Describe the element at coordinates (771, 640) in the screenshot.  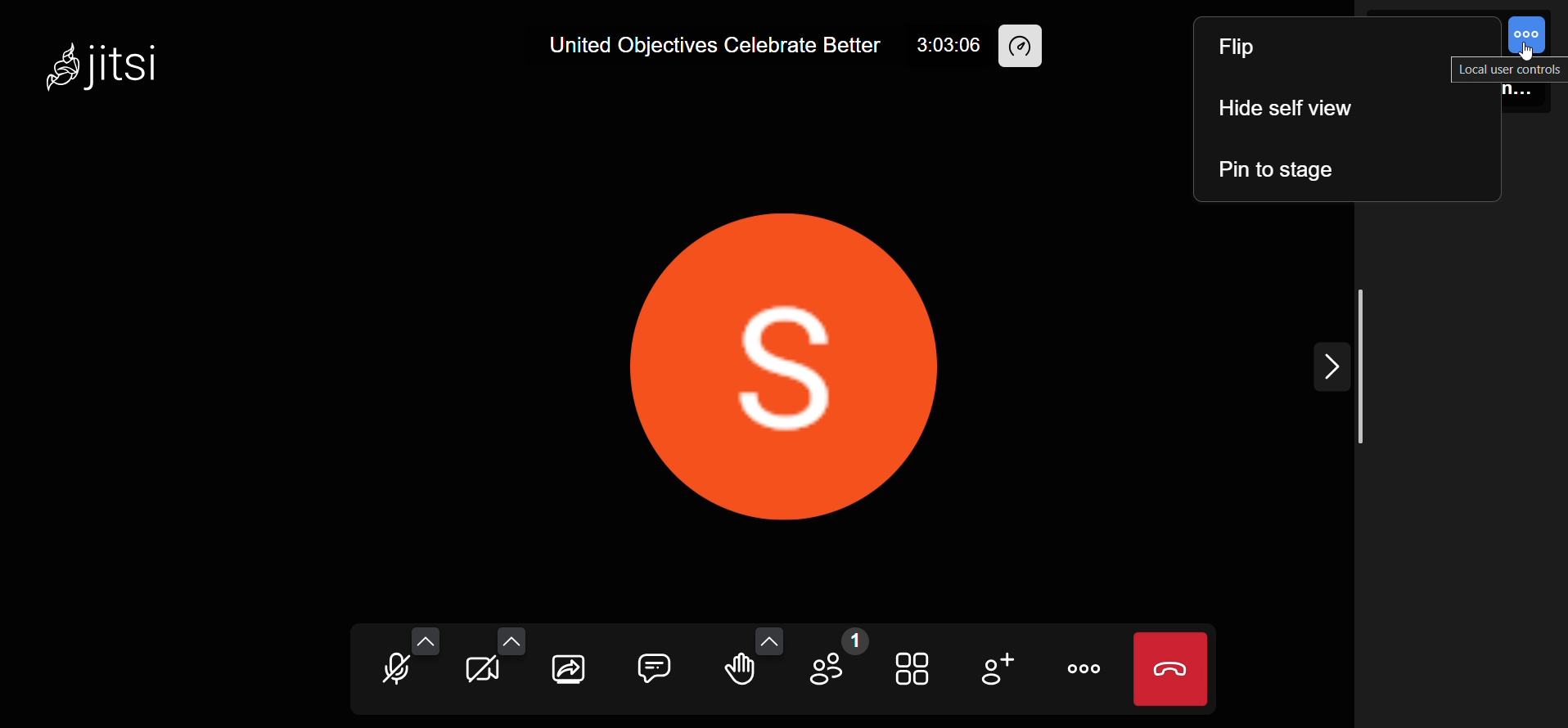
I see `more emoji` at that location.